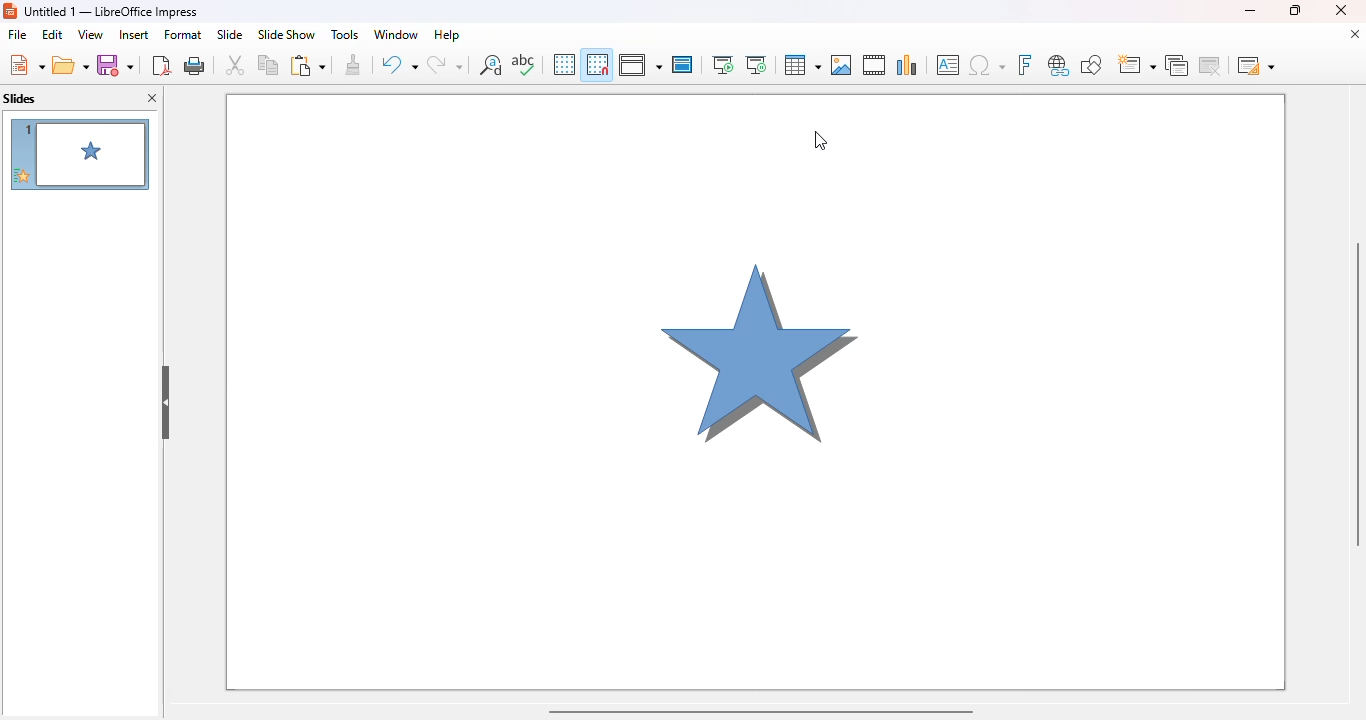  What do you see at coordinates (195, 64) in the screenshot?
I see `print` at bounding box center [195, 64].